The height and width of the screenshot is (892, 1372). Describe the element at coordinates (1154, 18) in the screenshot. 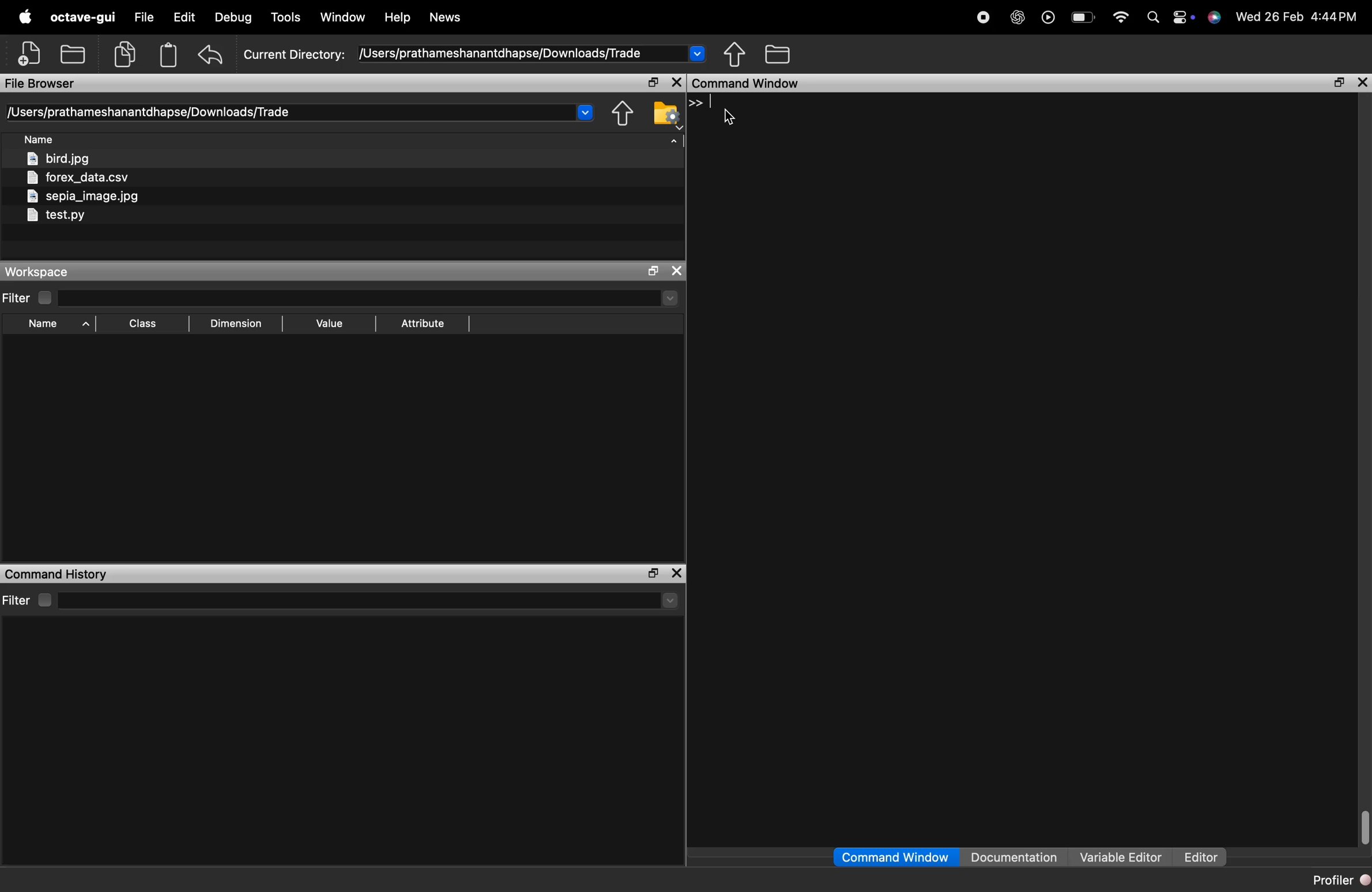

I see `Search ` at that location.